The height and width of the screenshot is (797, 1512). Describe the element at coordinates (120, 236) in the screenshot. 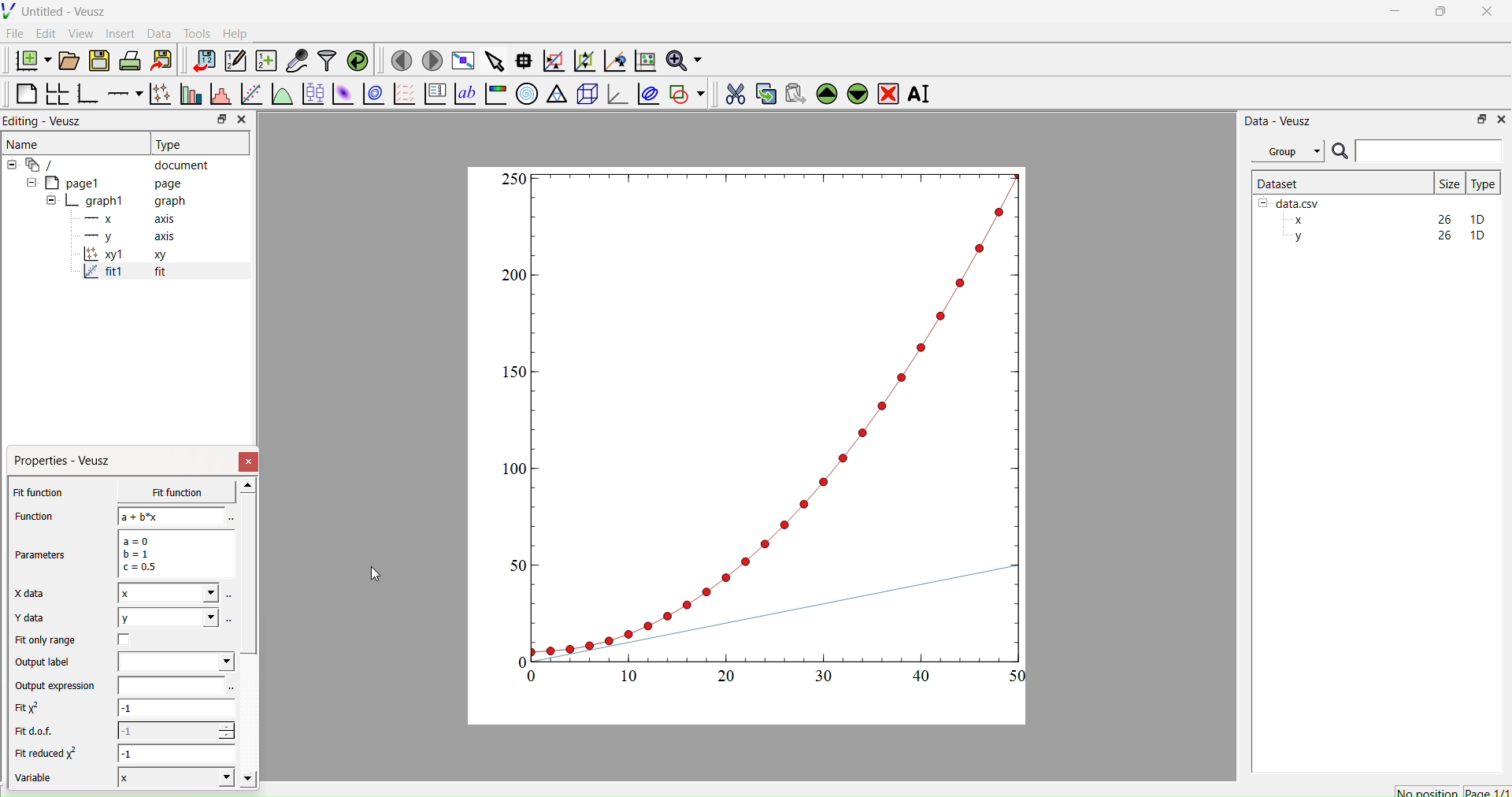

I see `y axis` at that location.